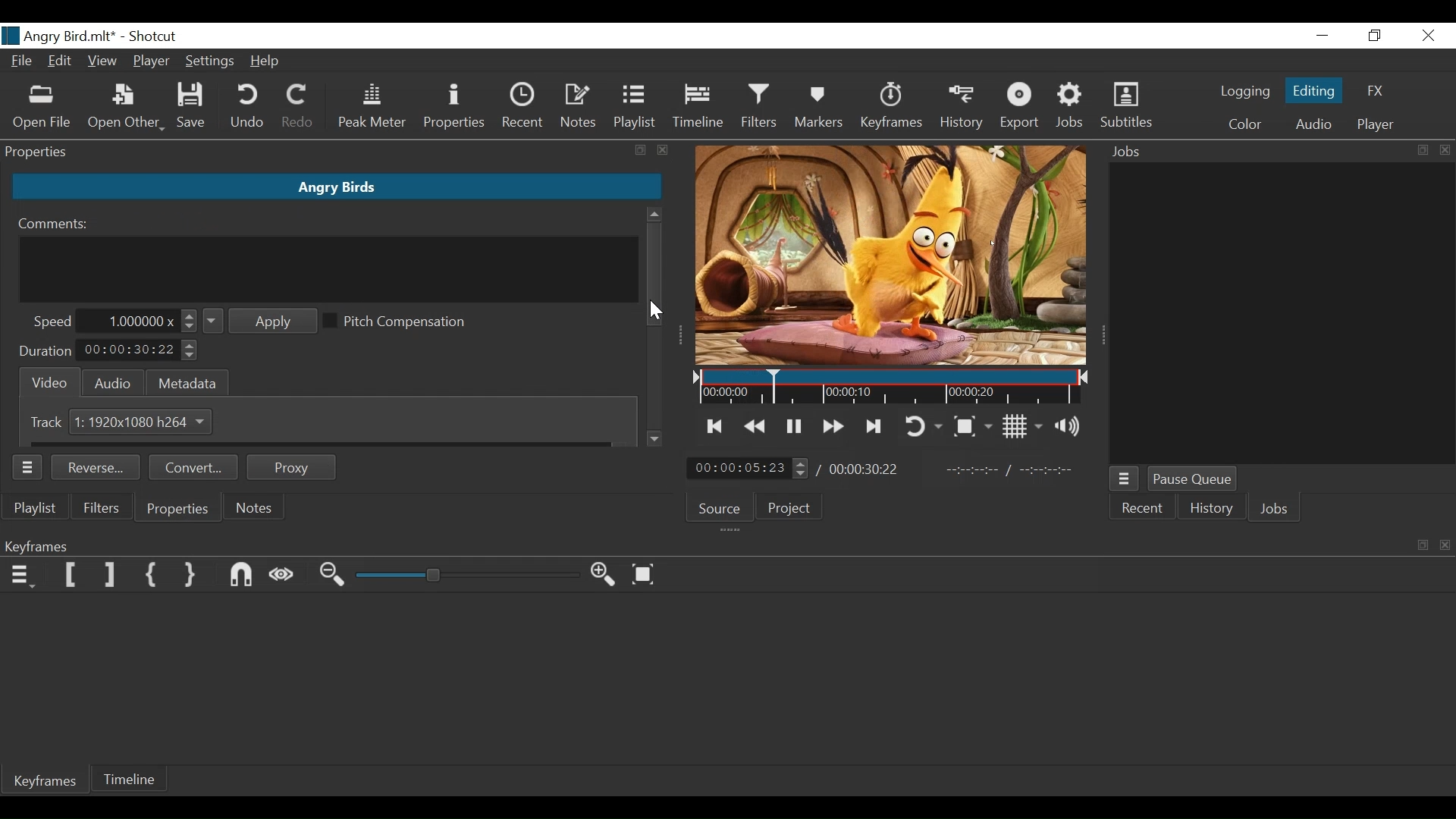 This screenshot has height=819, width=1456. What do you see at coordinates (1276, 509) in the screenshot?
I see `Jobs` at bounding box center [1276, 509].